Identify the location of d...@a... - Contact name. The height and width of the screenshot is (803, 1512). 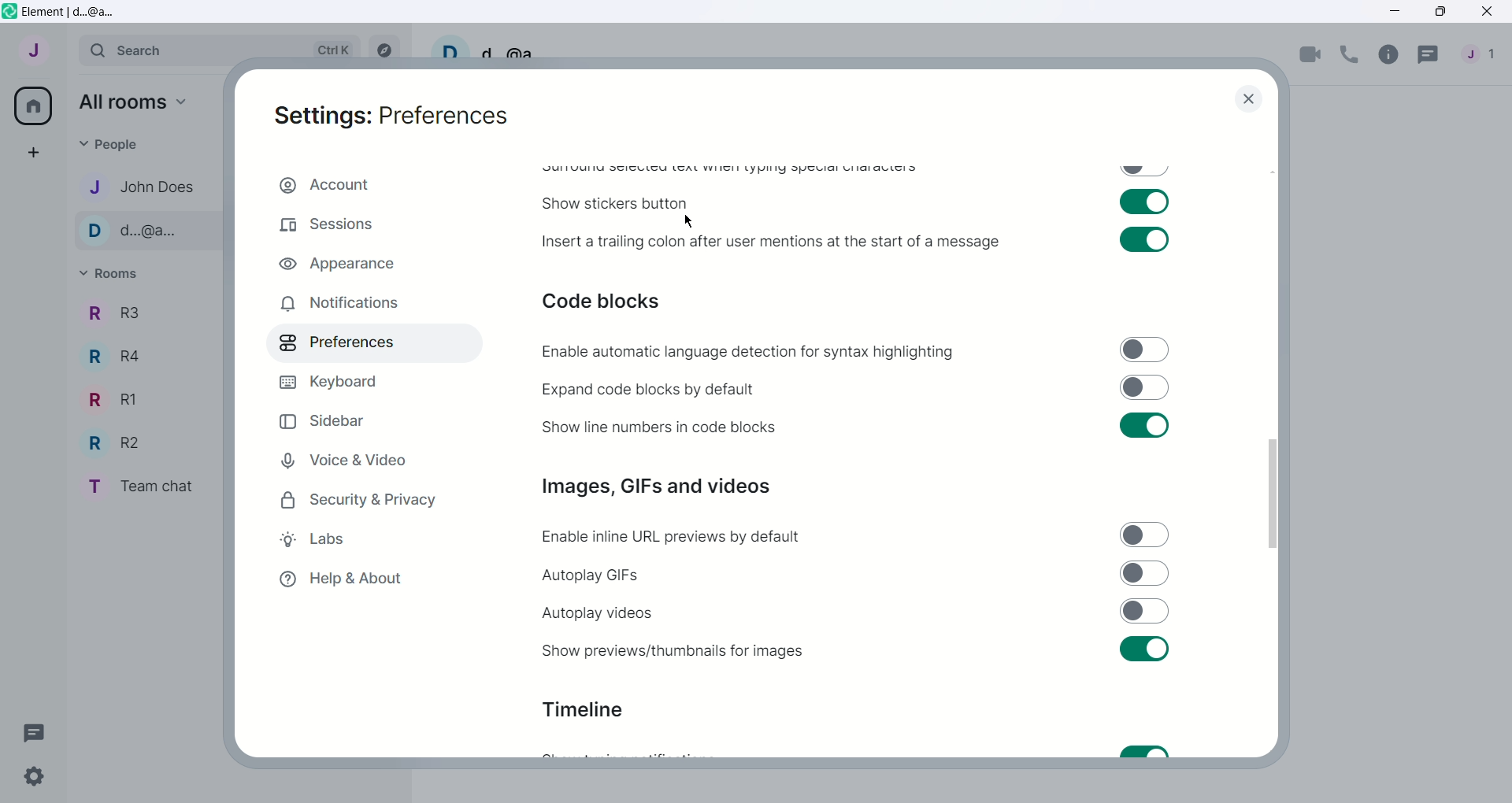
(152, 231).